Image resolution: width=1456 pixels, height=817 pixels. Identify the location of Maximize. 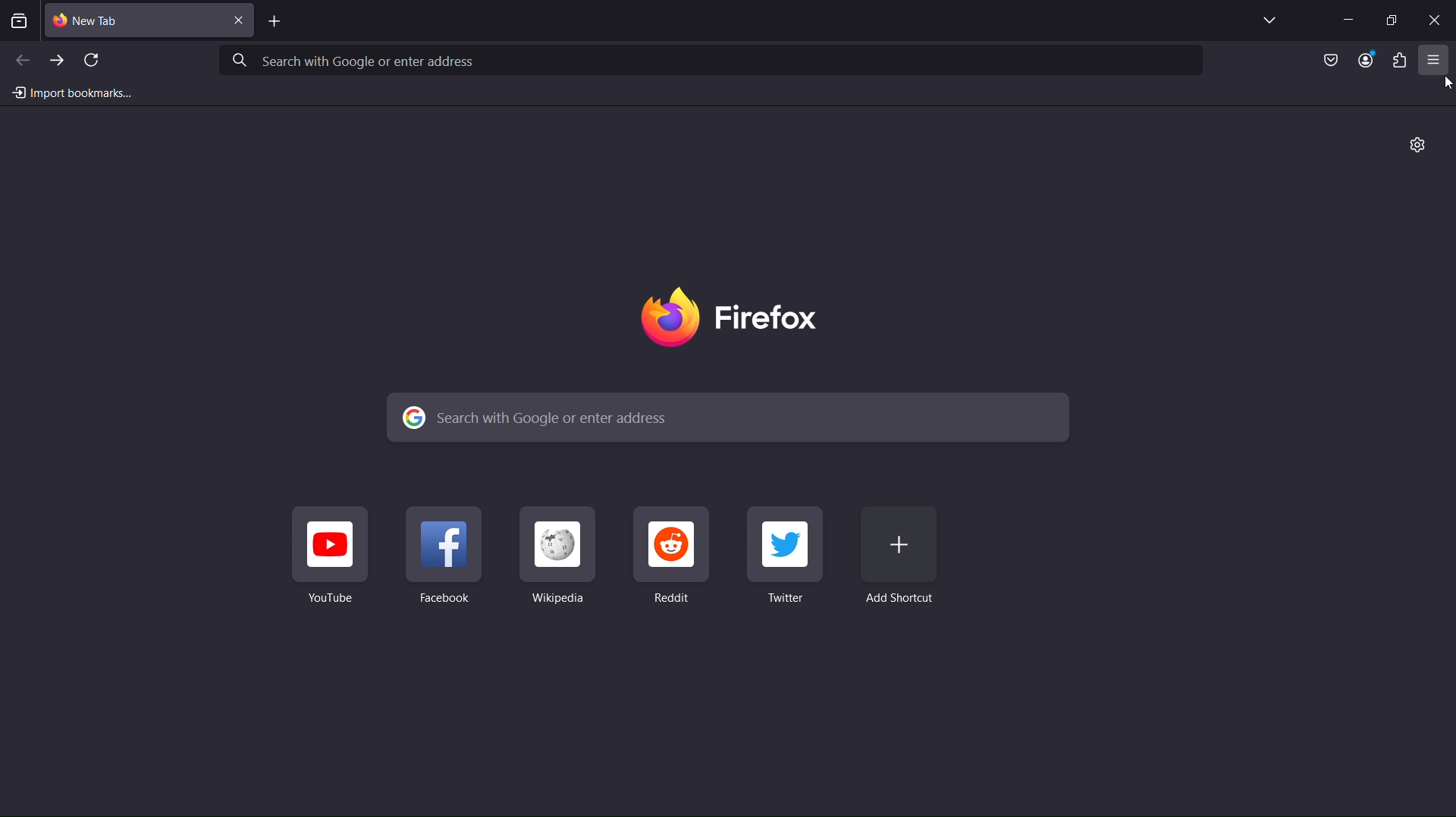
(1395, 19).